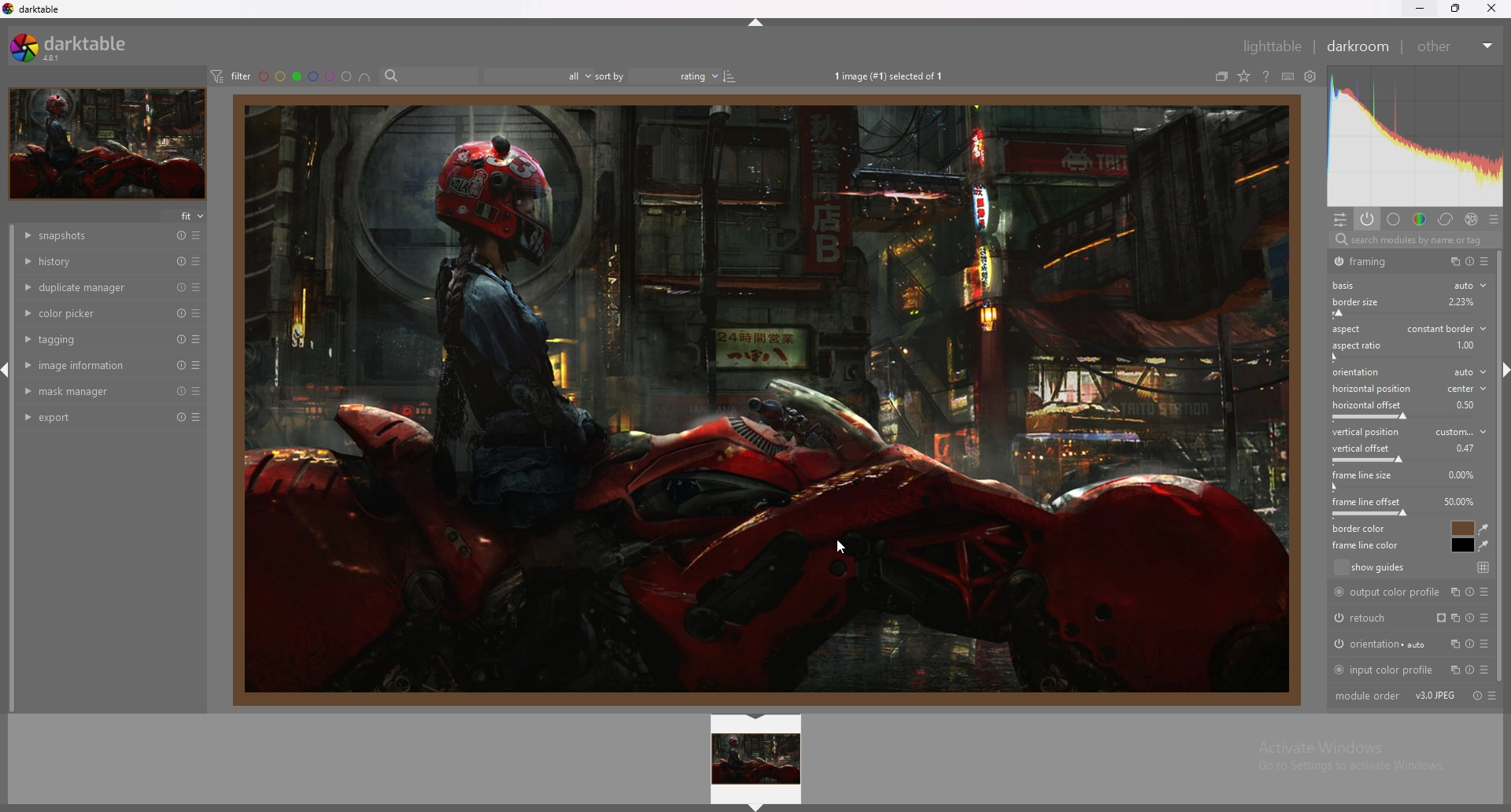 The height and width of the screenshot is (812, 1511). What do you see at coordinates (1406, 316) in the screenshot?
I see `border size offset bar` at bounding box center [1406, 316].